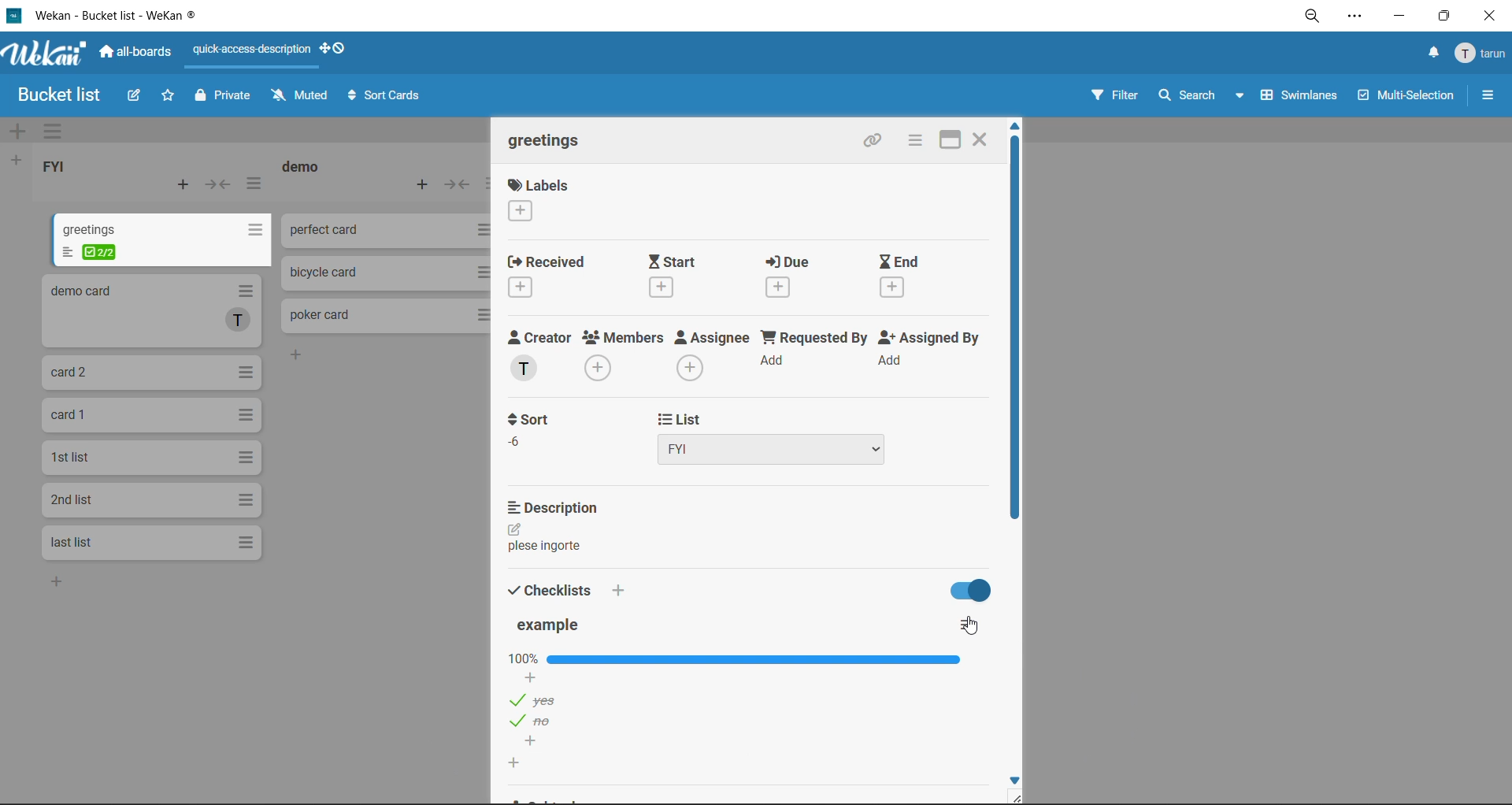  I want to click on private, so click(223, 98).